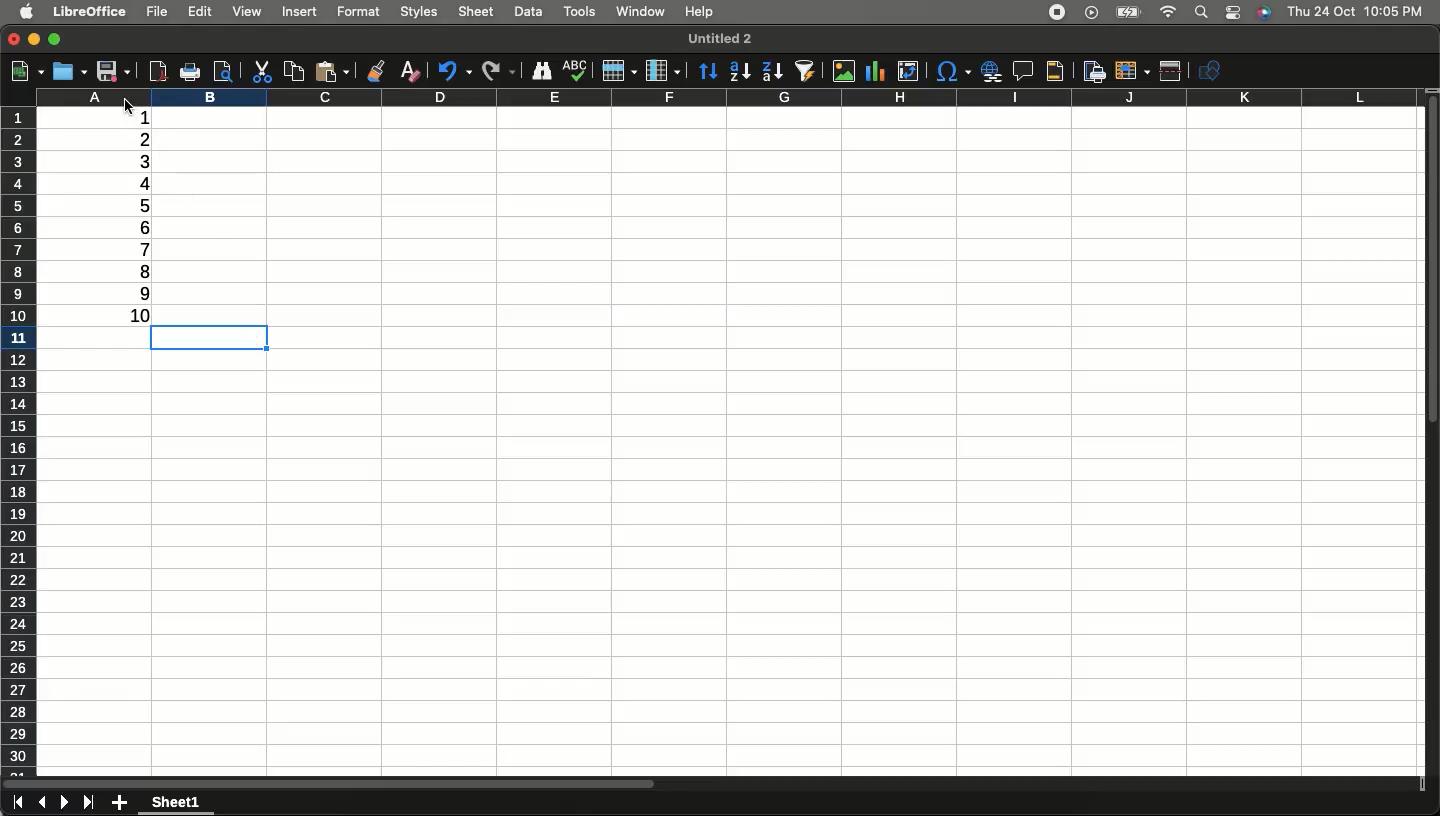 This screenshot has width=1440, height=816. I want to click on Clear direct formatting, so click(414, 71).